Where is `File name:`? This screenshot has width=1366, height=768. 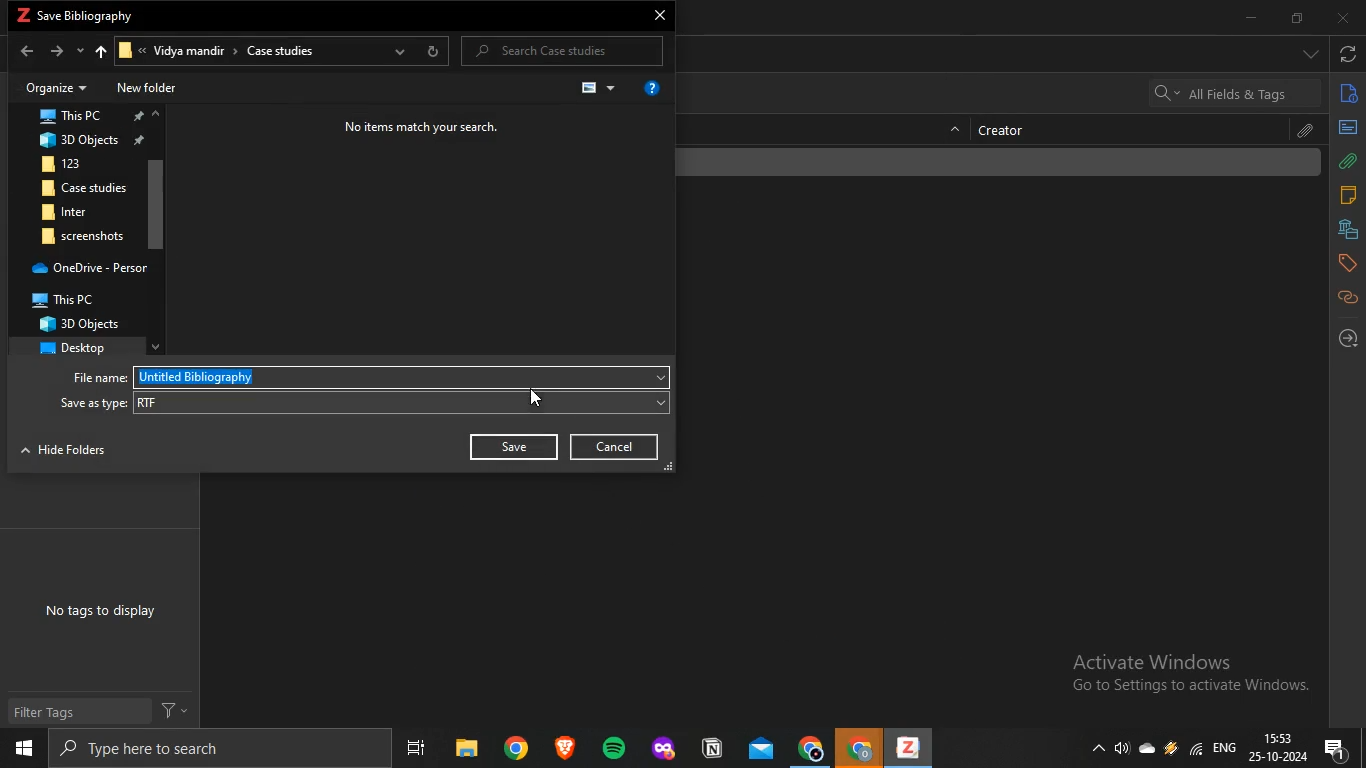
File name: is located at coordinates (103, 381).